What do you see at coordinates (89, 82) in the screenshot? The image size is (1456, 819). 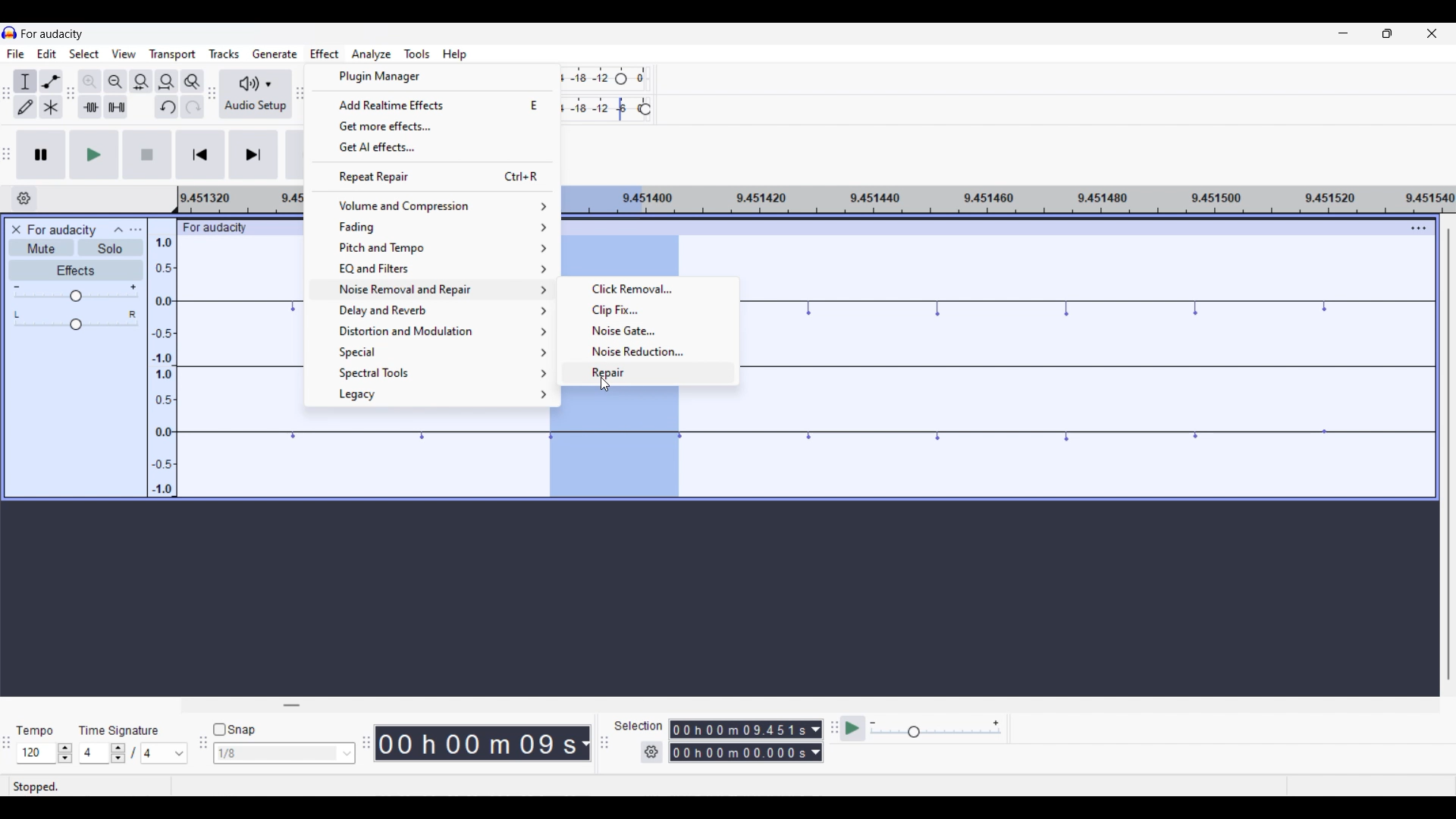 I see `Zoom in` at bounding box center [89, 82].